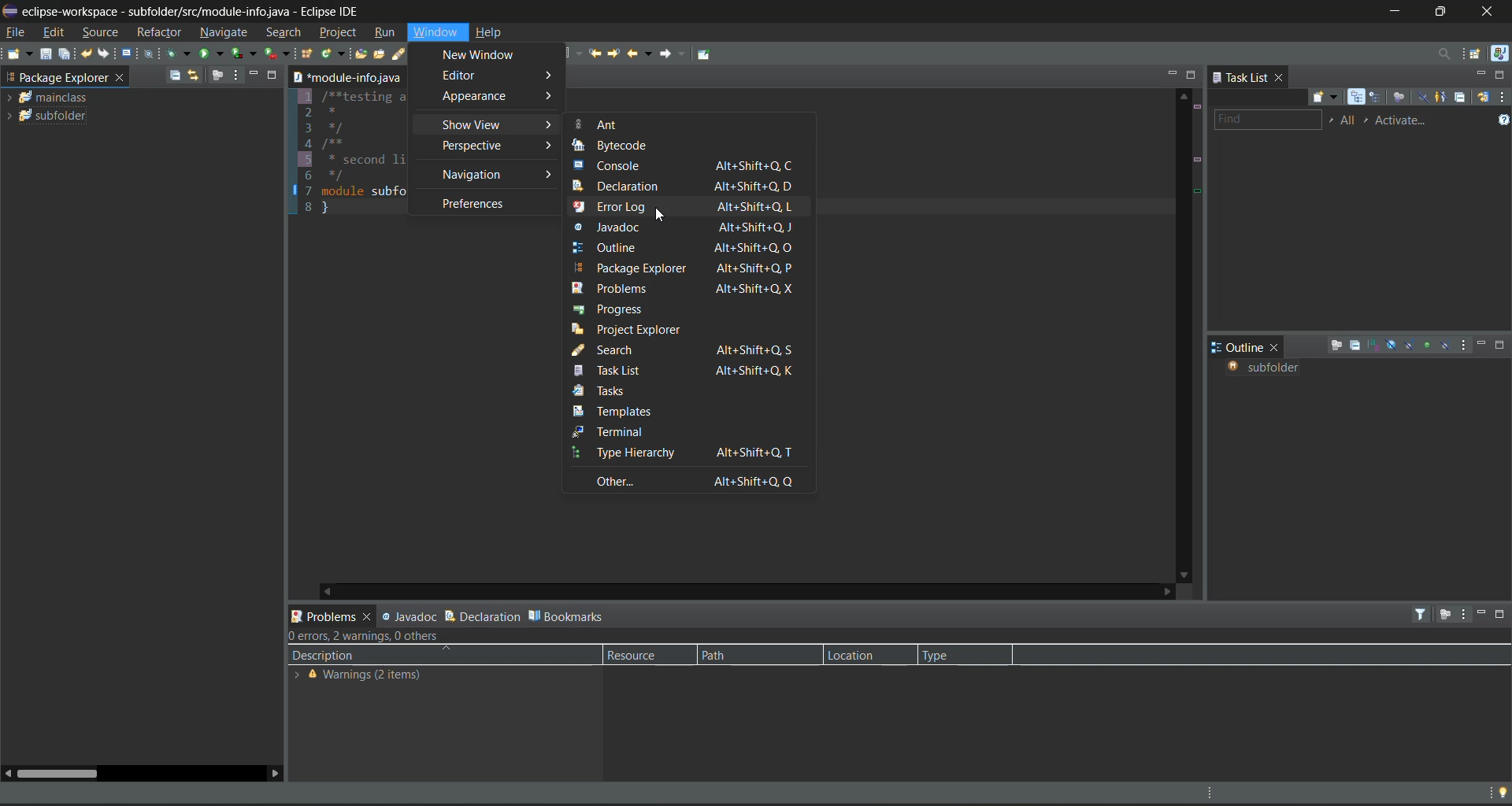 Image resolution: width=1512 pixels, height=806 pixels. Describe the element at coordinates (339, 31) in the screenshot. I see `project` at that location.